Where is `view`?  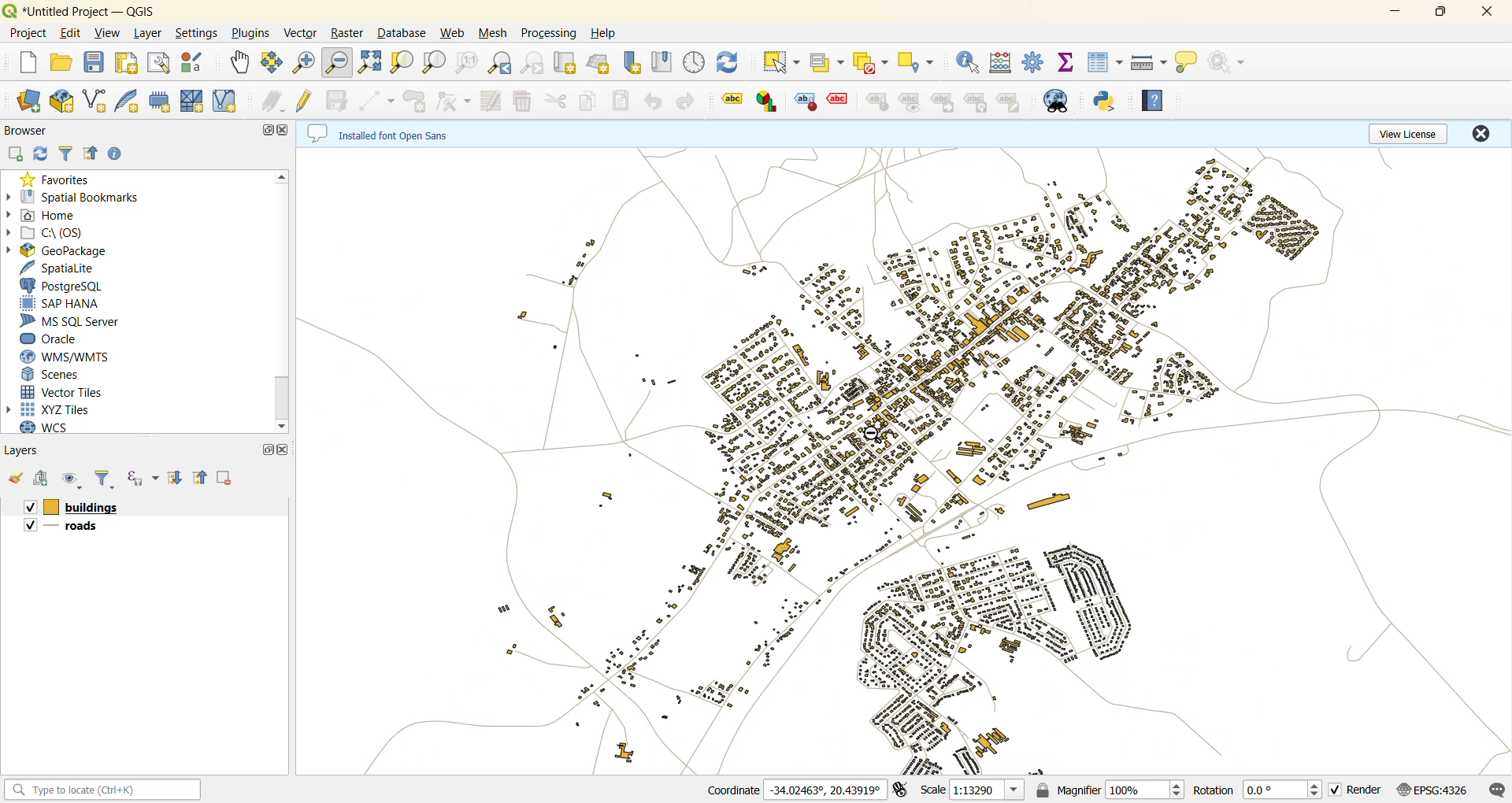
view is located at coordinates (109, 34).